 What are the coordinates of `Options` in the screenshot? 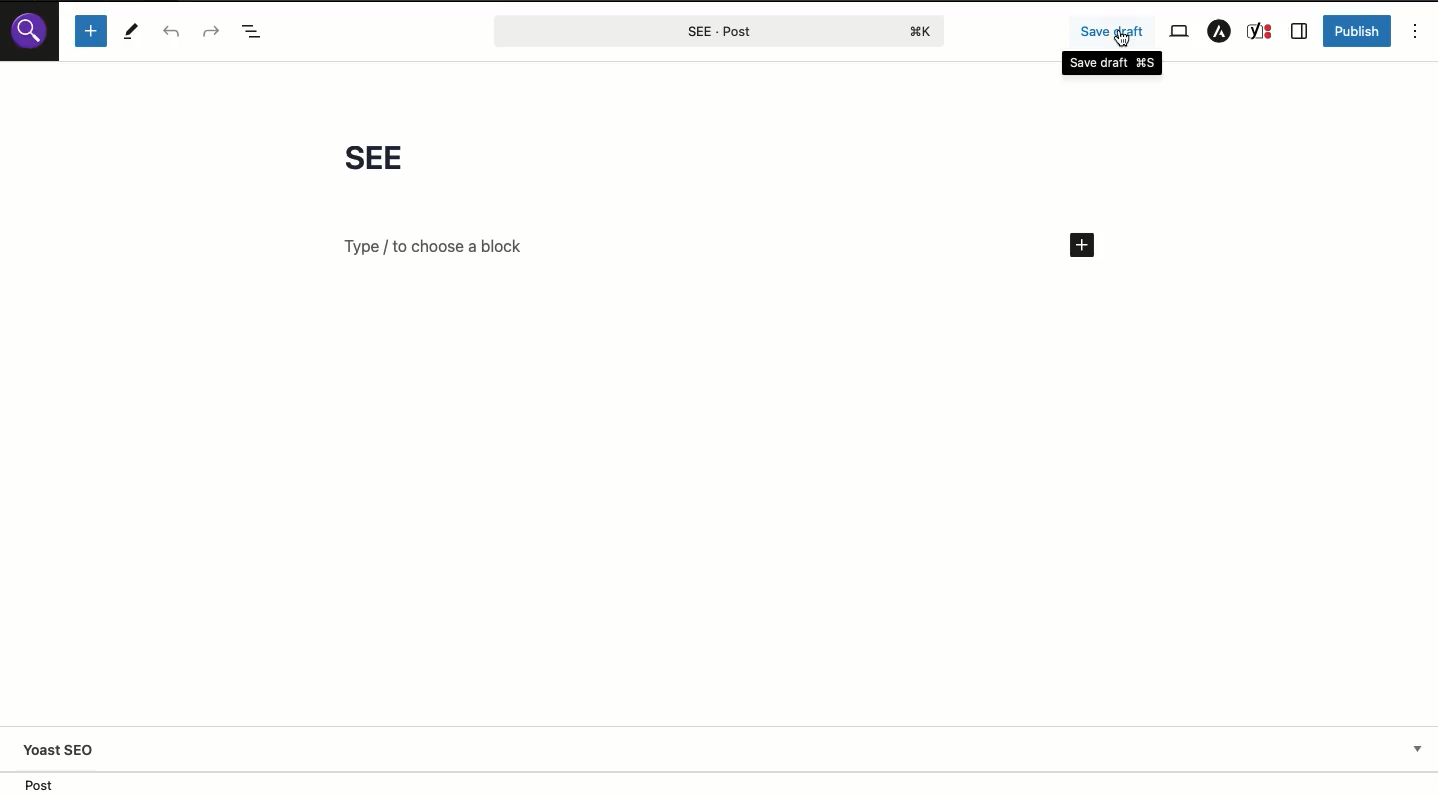 It's located at (1419, 35).